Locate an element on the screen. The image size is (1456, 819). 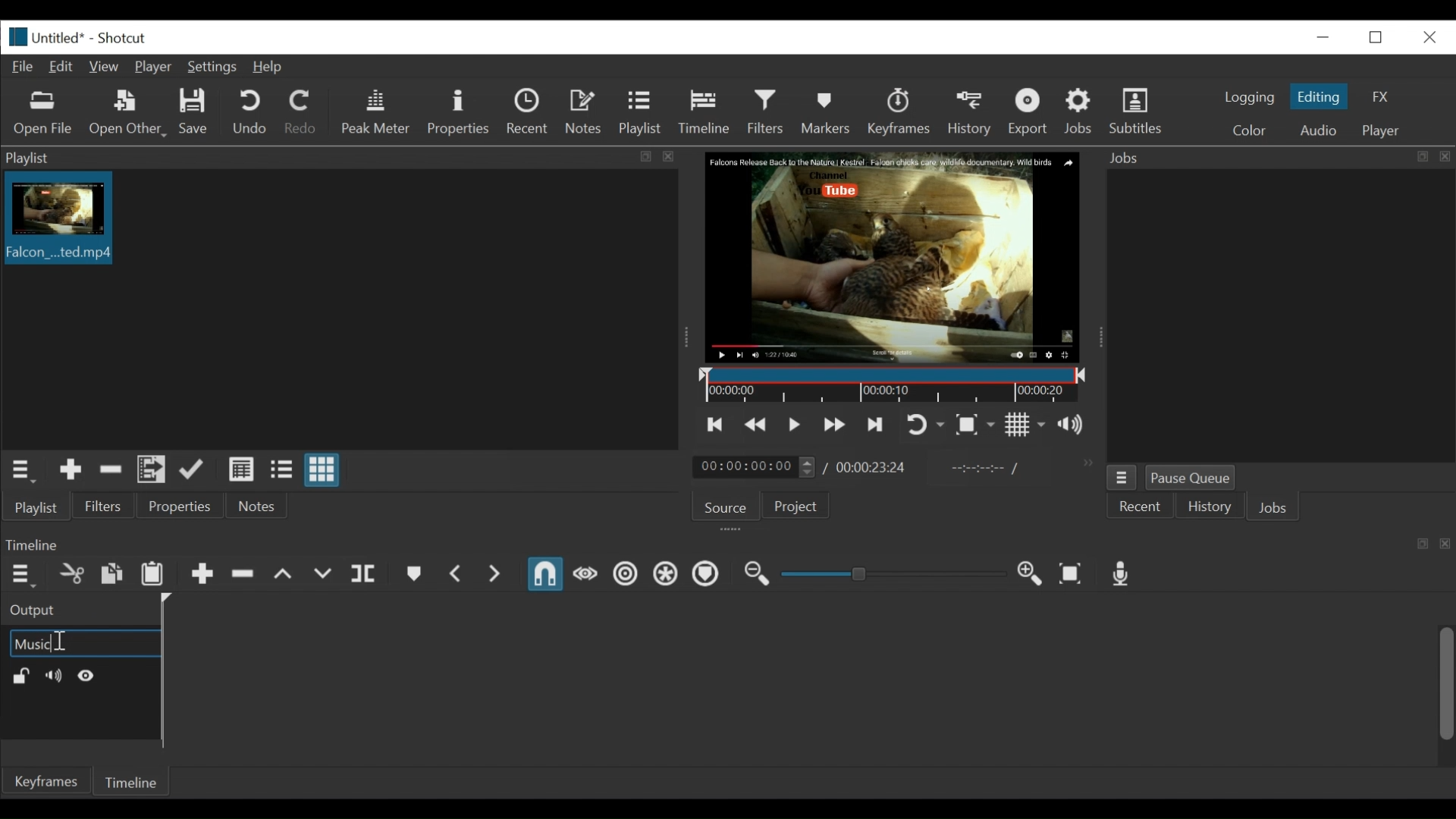
Lift is located at coordinates (284, 573).